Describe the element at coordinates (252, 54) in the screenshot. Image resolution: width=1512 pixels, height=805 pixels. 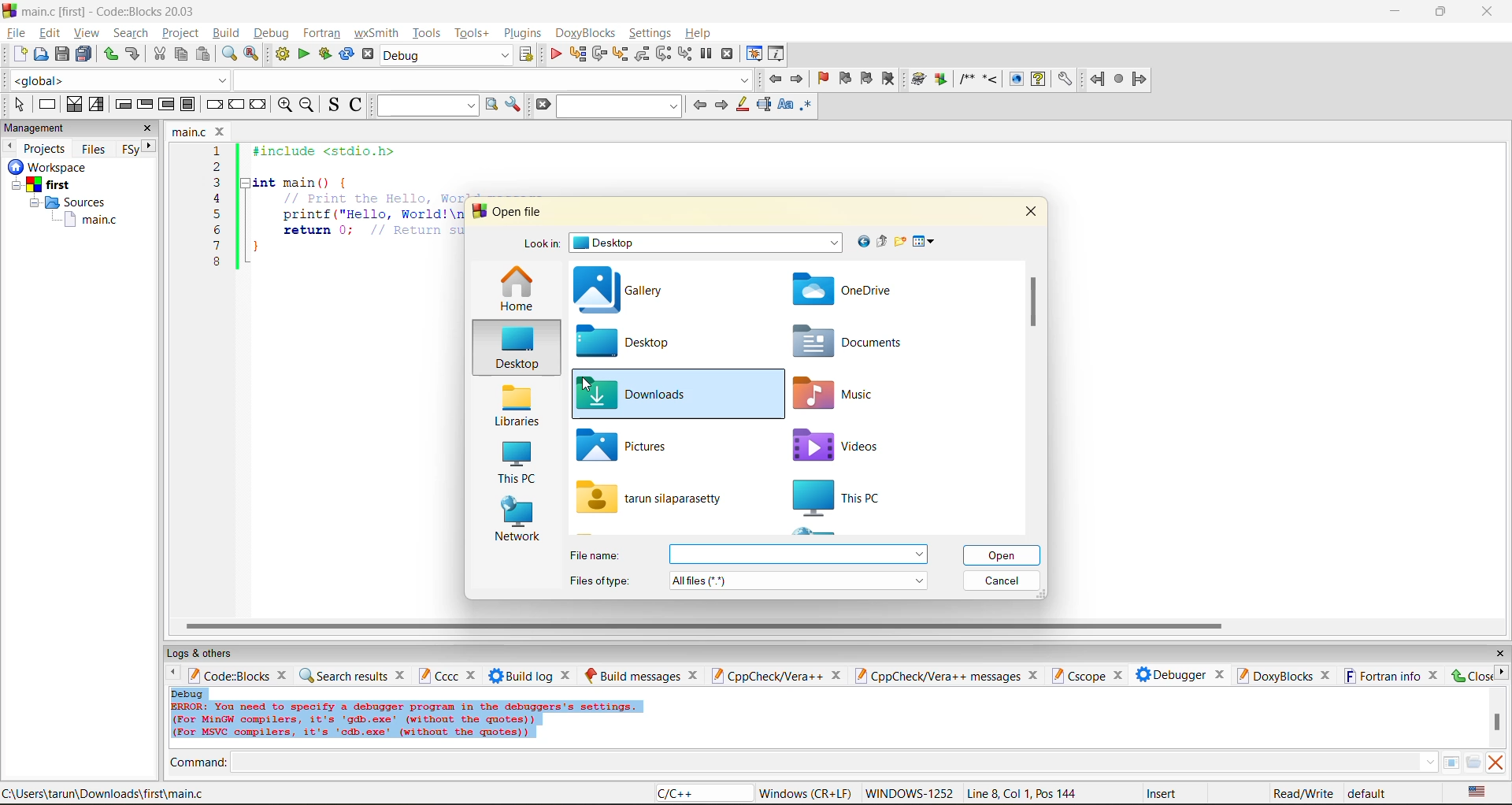
I see `replace` at that location.